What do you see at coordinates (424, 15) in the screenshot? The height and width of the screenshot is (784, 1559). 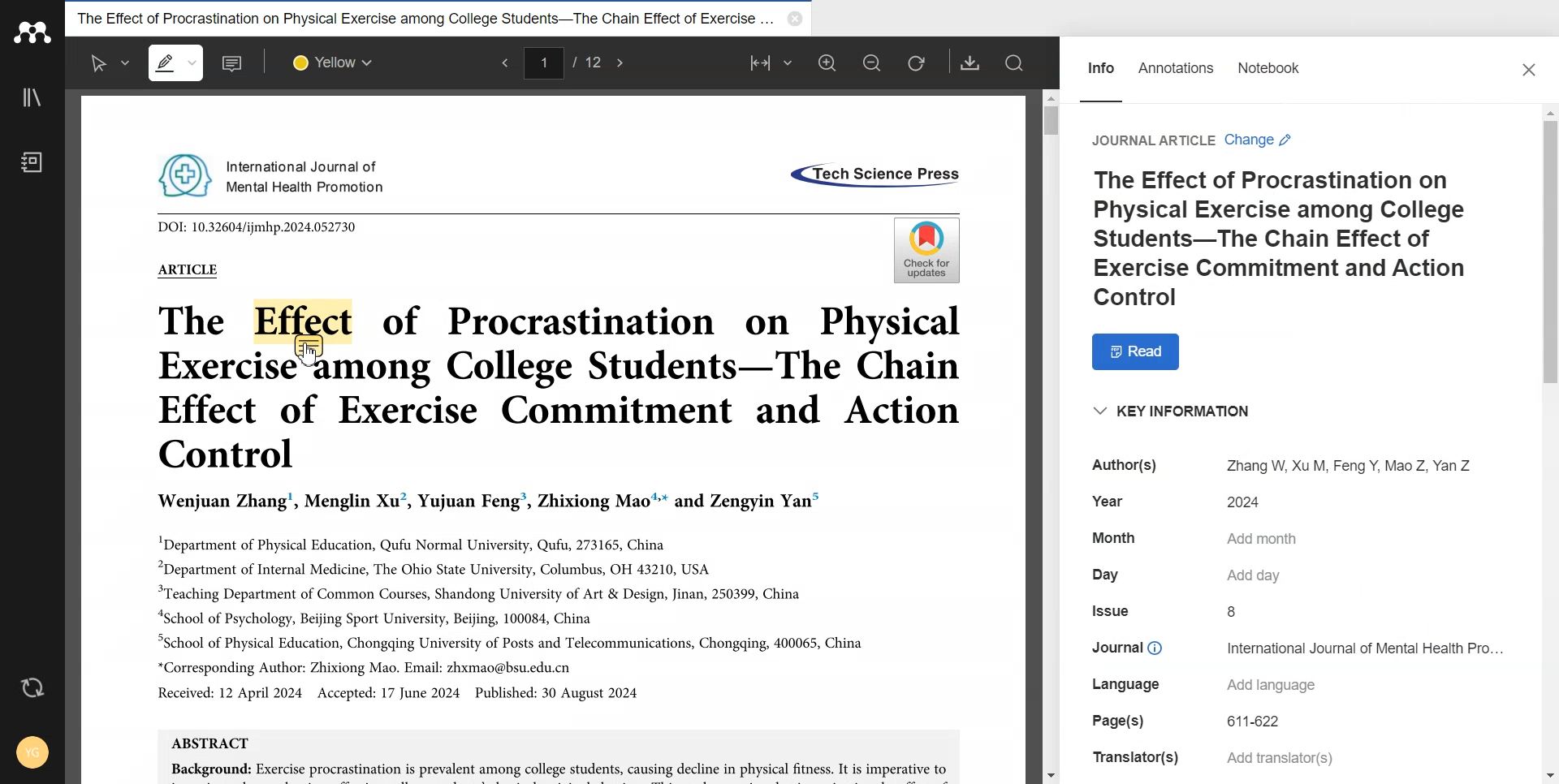 I see ` The Effect of Procrastination on Physical Exercise among College Students-The Chain Effect of Exercise...` at bounding box center [424, 15].